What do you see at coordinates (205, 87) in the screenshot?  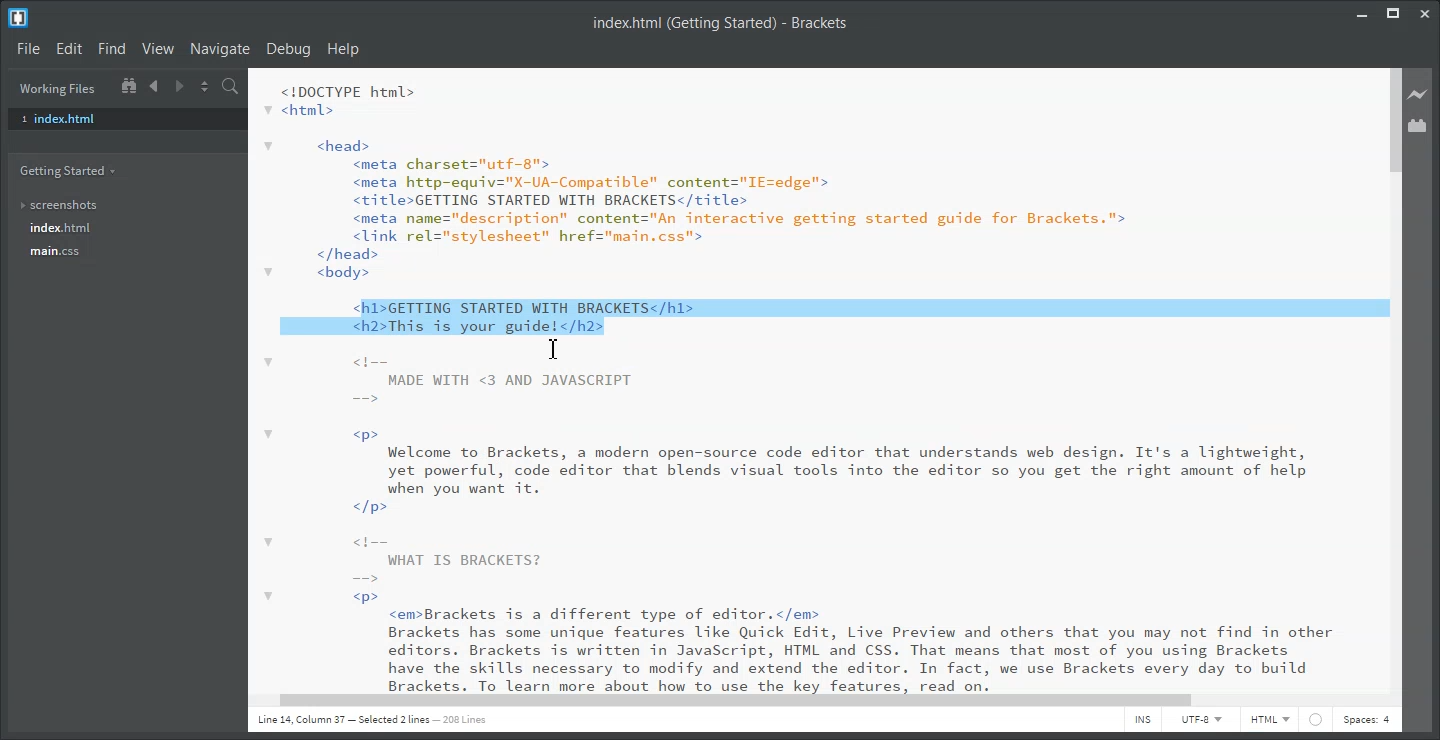 I see `Split the editor Vertically or Horizontally` at bounding box center [205, 87].